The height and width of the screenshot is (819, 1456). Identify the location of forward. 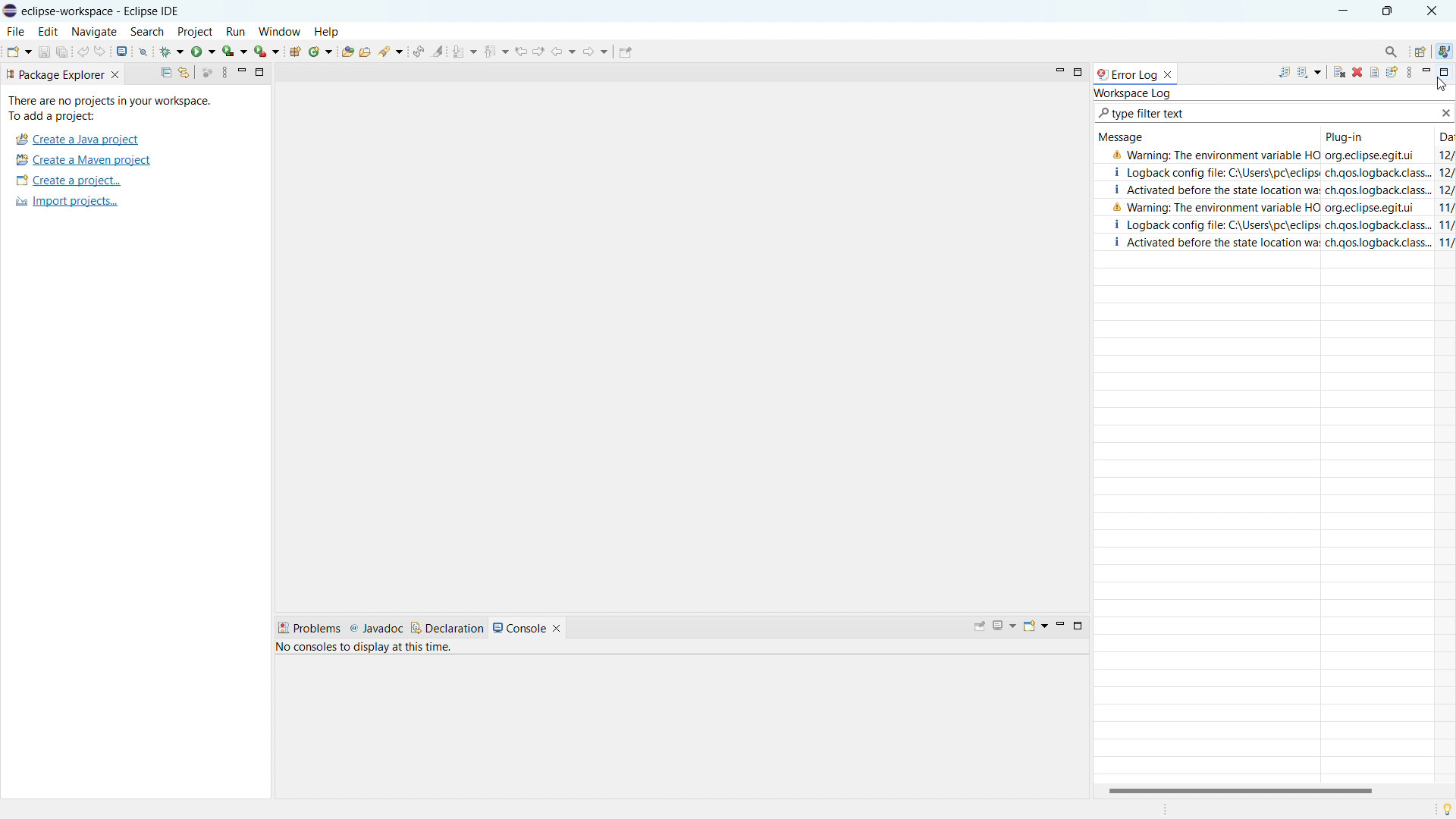
(595, 51).